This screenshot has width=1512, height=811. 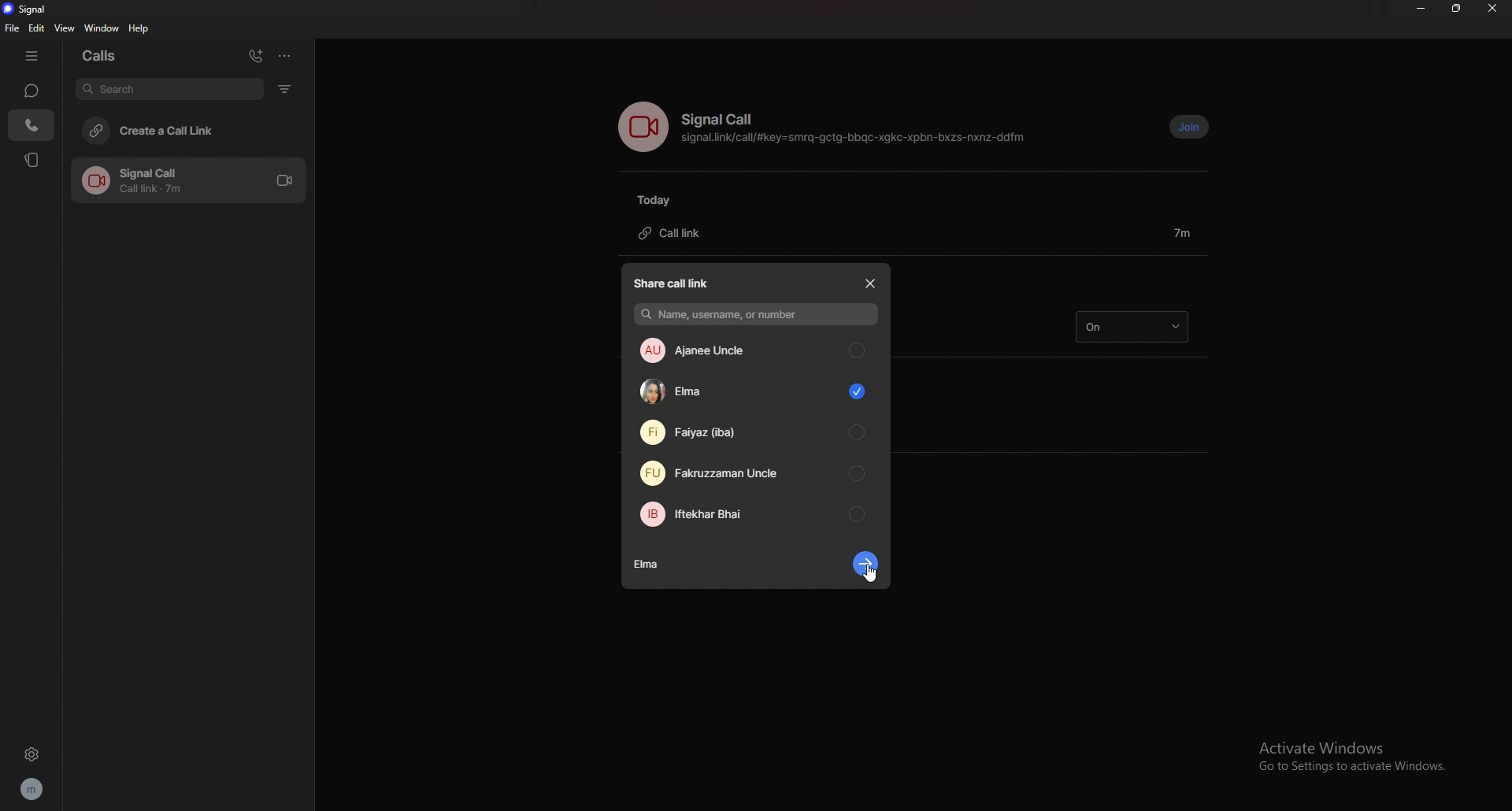 What do you see at coordinates (35, 56) in the screenshot?
I see `hide tab` at bounding box center [35, 56].